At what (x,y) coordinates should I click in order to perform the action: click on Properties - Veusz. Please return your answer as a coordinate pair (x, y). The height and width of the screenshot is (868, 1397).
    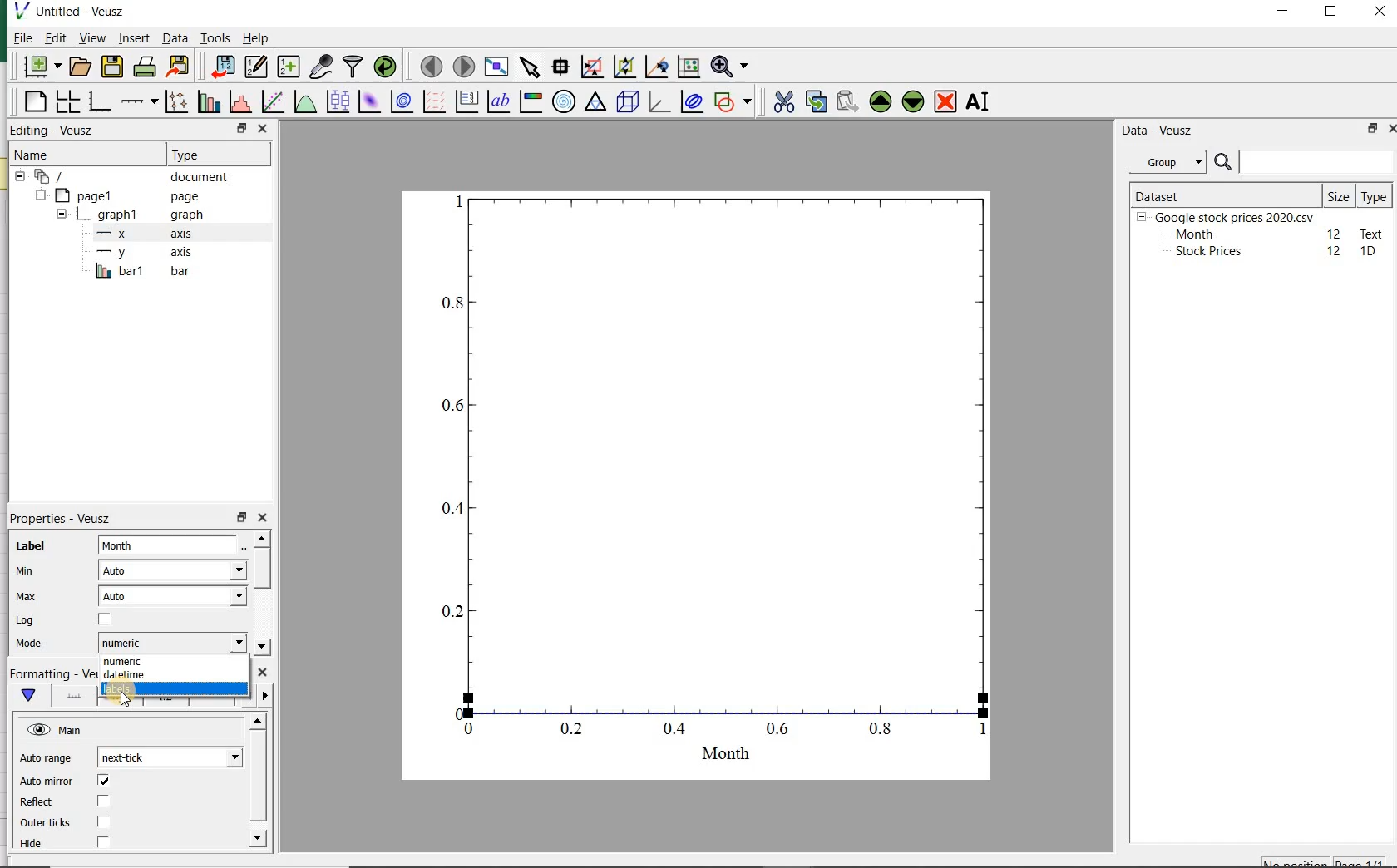
    Looking at the image, I should click on (66, 520).